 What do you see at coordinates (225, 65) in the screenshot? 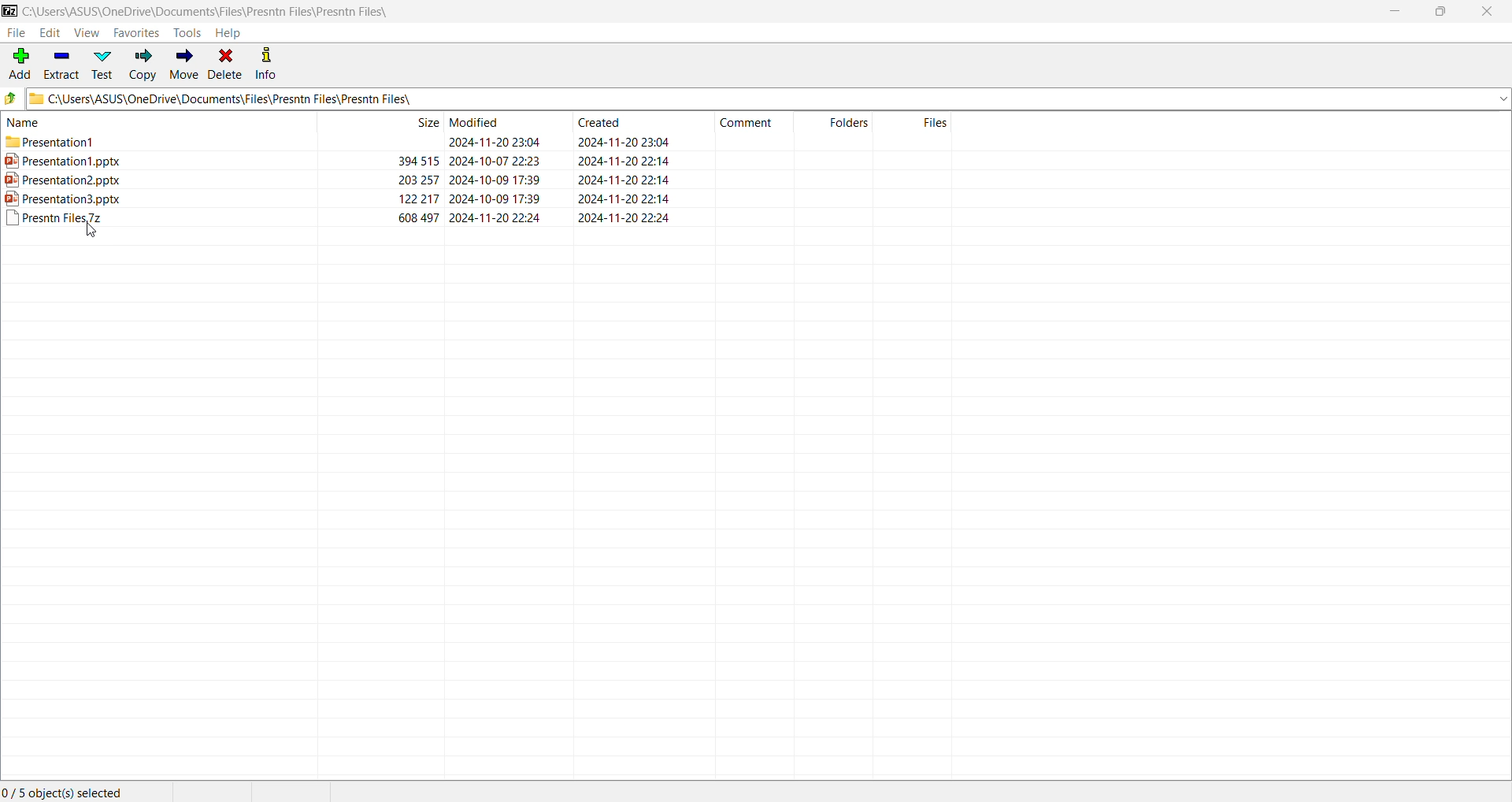
I see `Delete` at bounding box center [225, 65].